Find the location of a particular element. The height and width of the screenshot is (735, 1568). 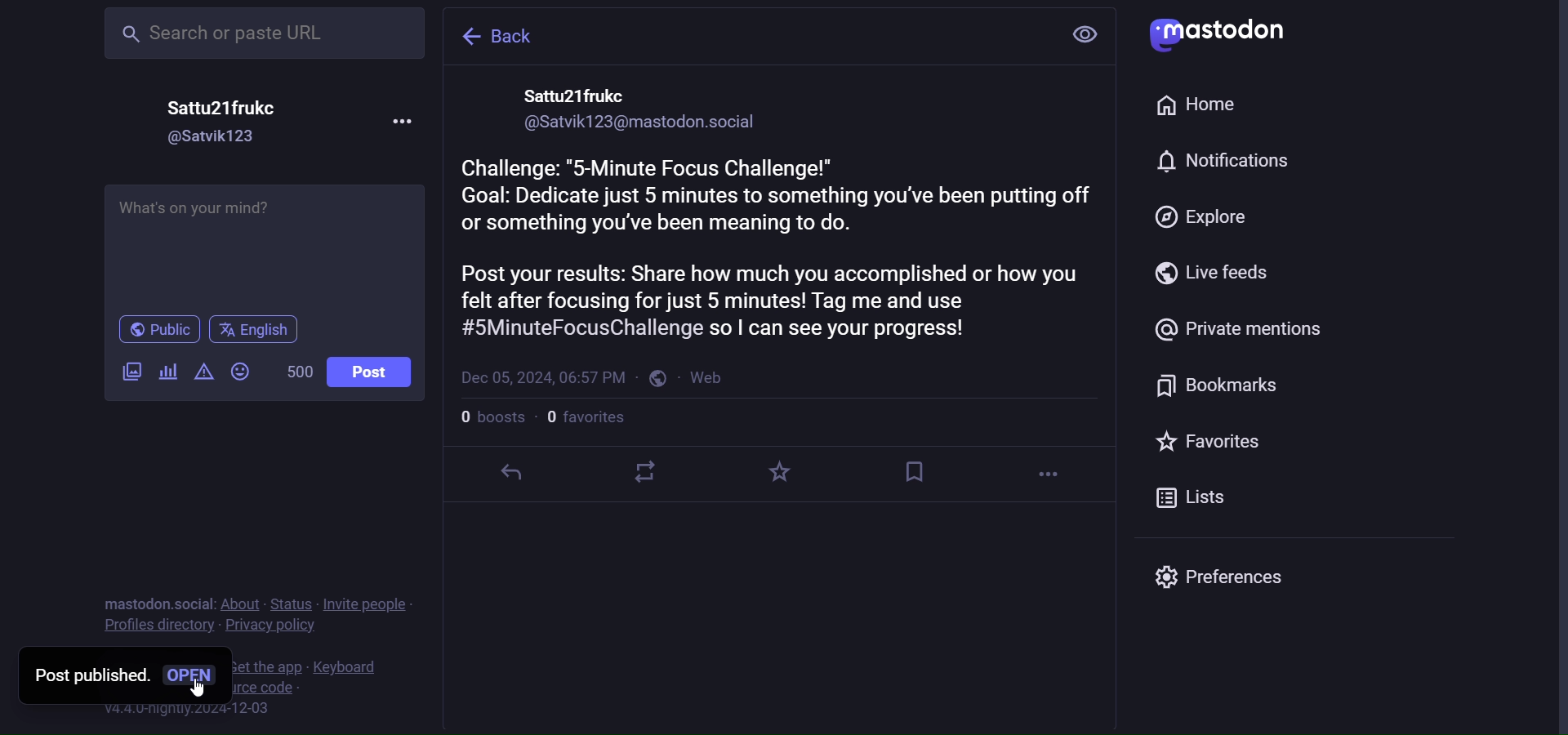

home is located at coordinates (1201, 105).